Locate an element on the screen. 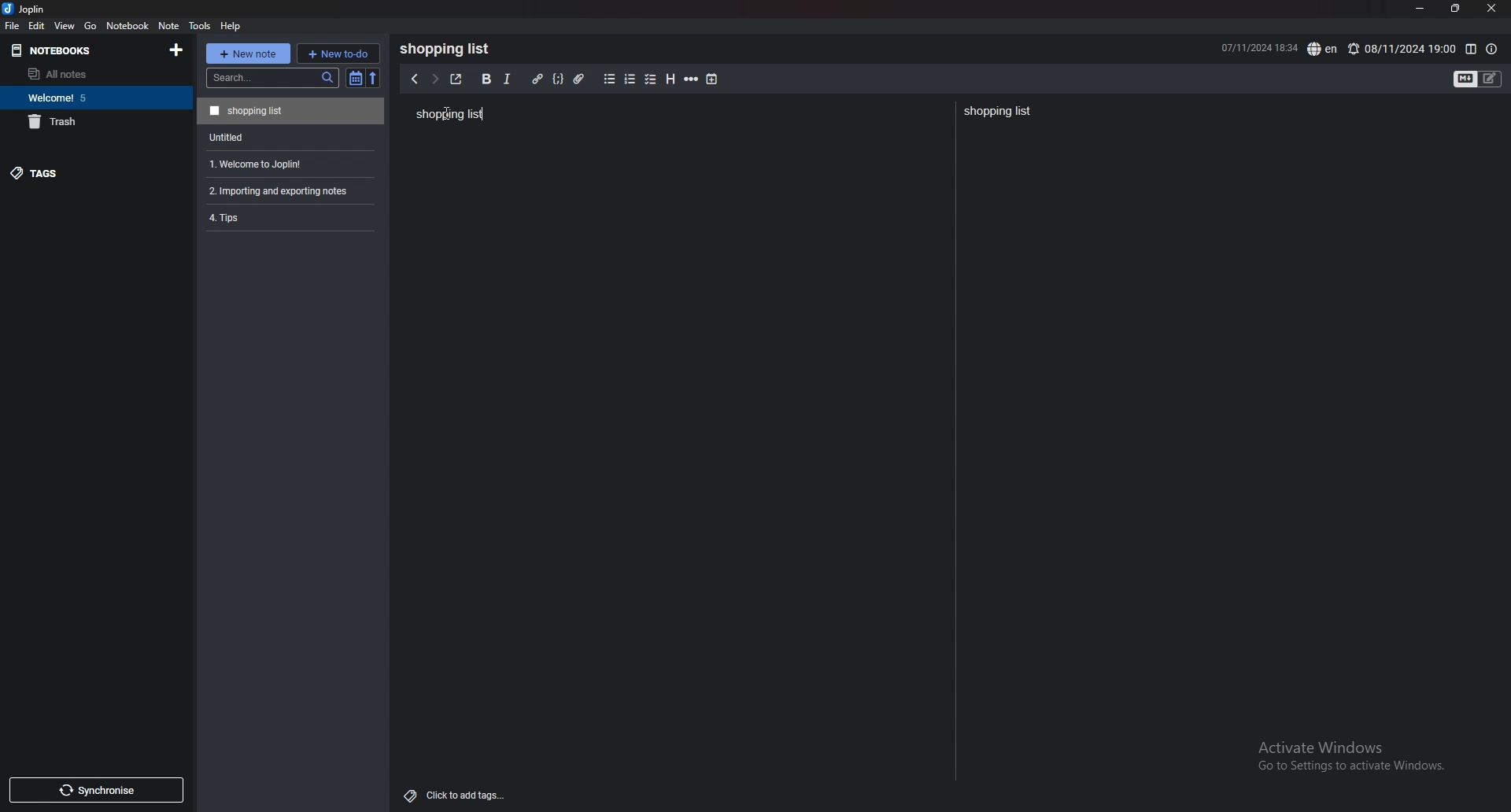  go is located at coordinates (91, 27).